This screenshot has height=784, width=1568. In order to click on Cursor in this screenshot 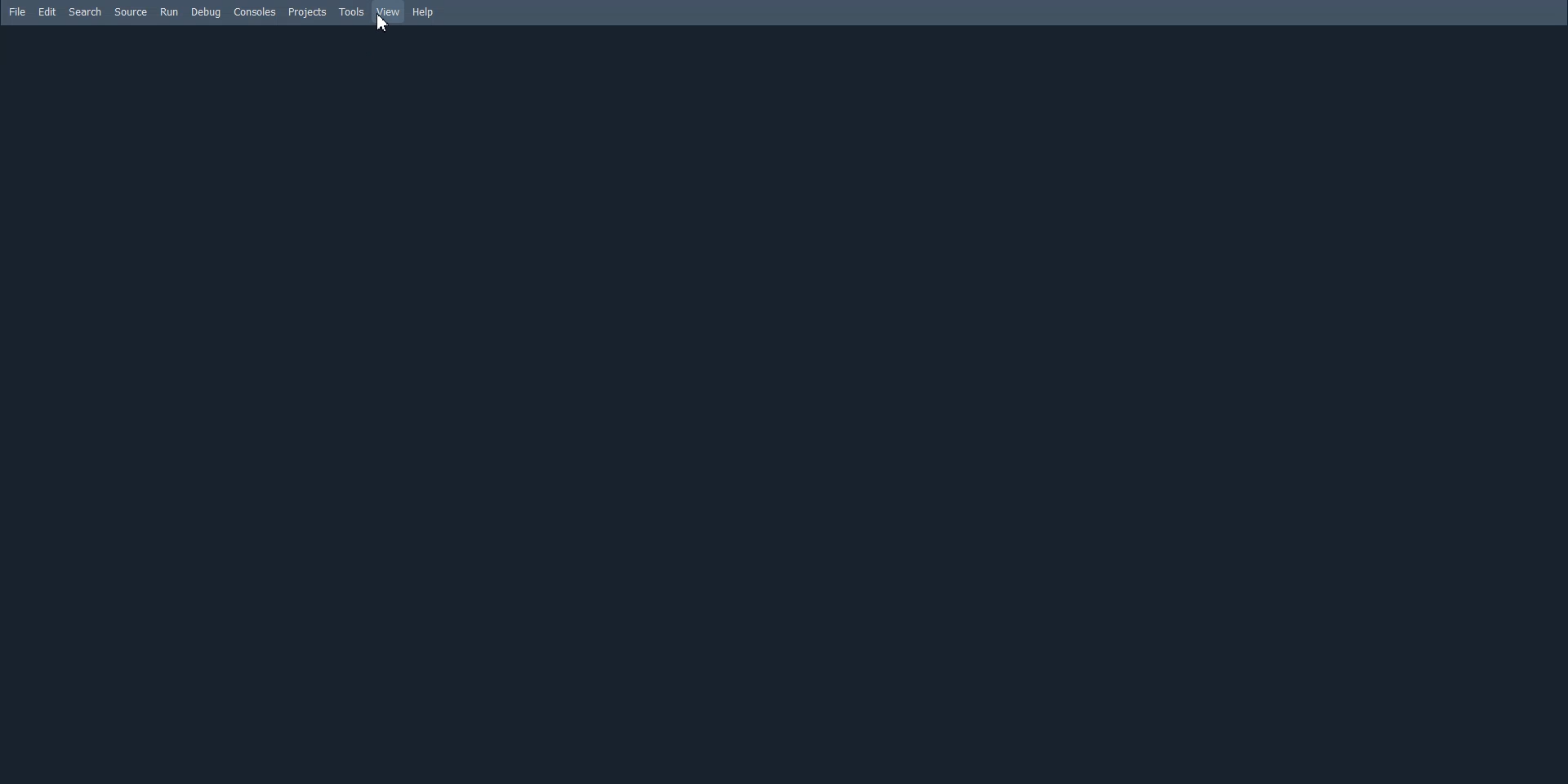, I will do `click(386, 31)`.